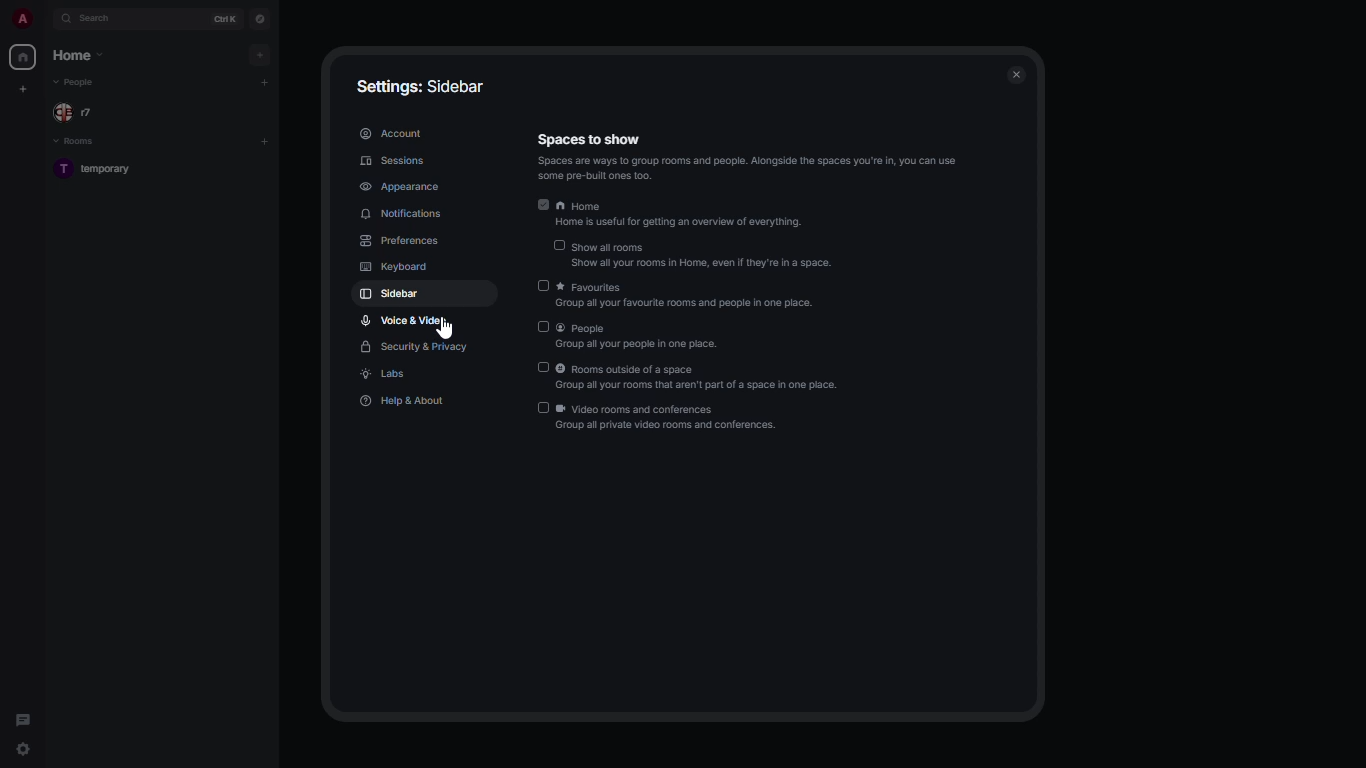  Describe the element at coordinates (404, 400) in the screenshot. I see `help & about` at that location.